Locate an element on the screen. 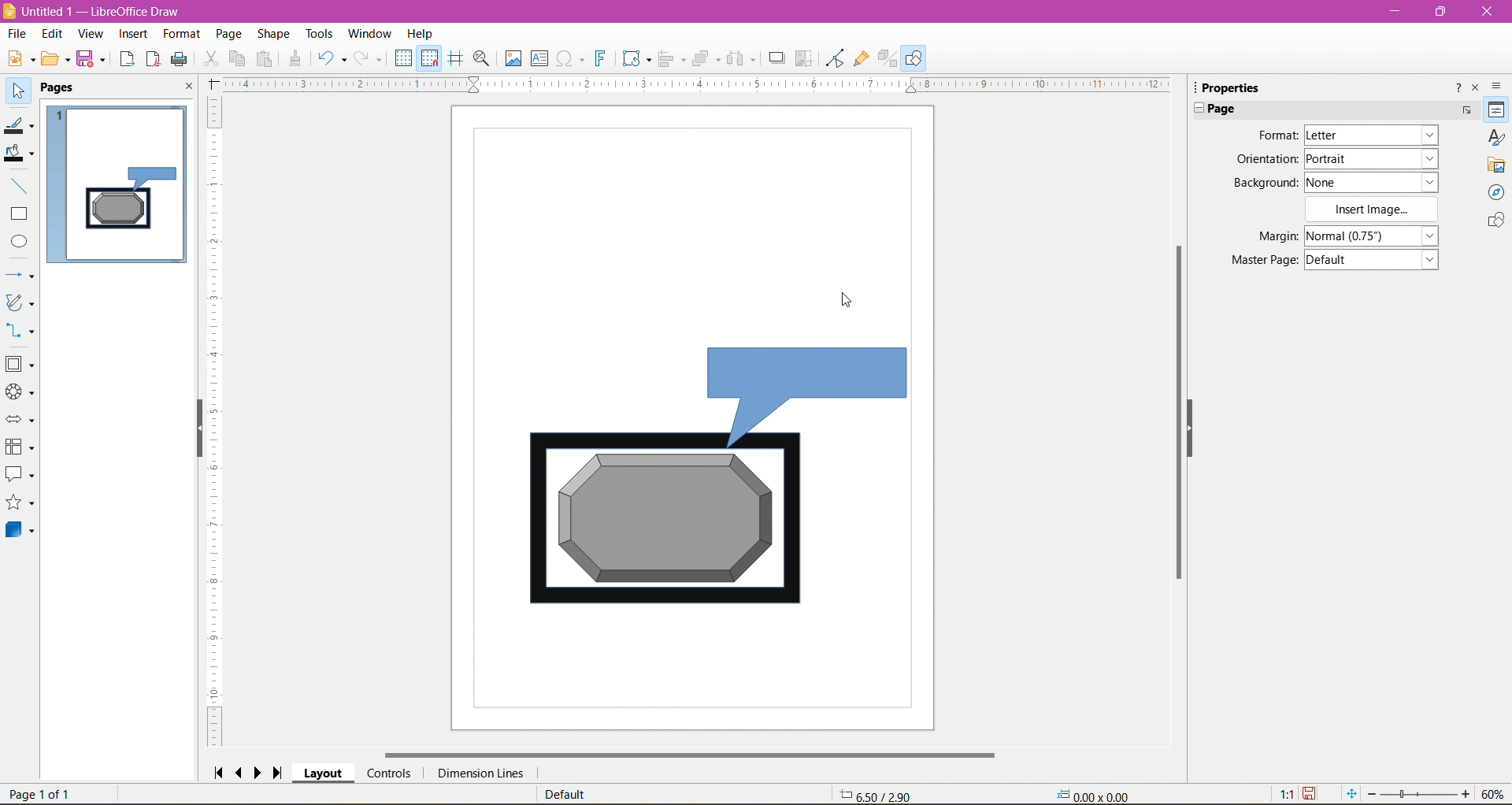 The height and width of the screenshot is (805, 1512). Page is located at coordinates (227, 32).